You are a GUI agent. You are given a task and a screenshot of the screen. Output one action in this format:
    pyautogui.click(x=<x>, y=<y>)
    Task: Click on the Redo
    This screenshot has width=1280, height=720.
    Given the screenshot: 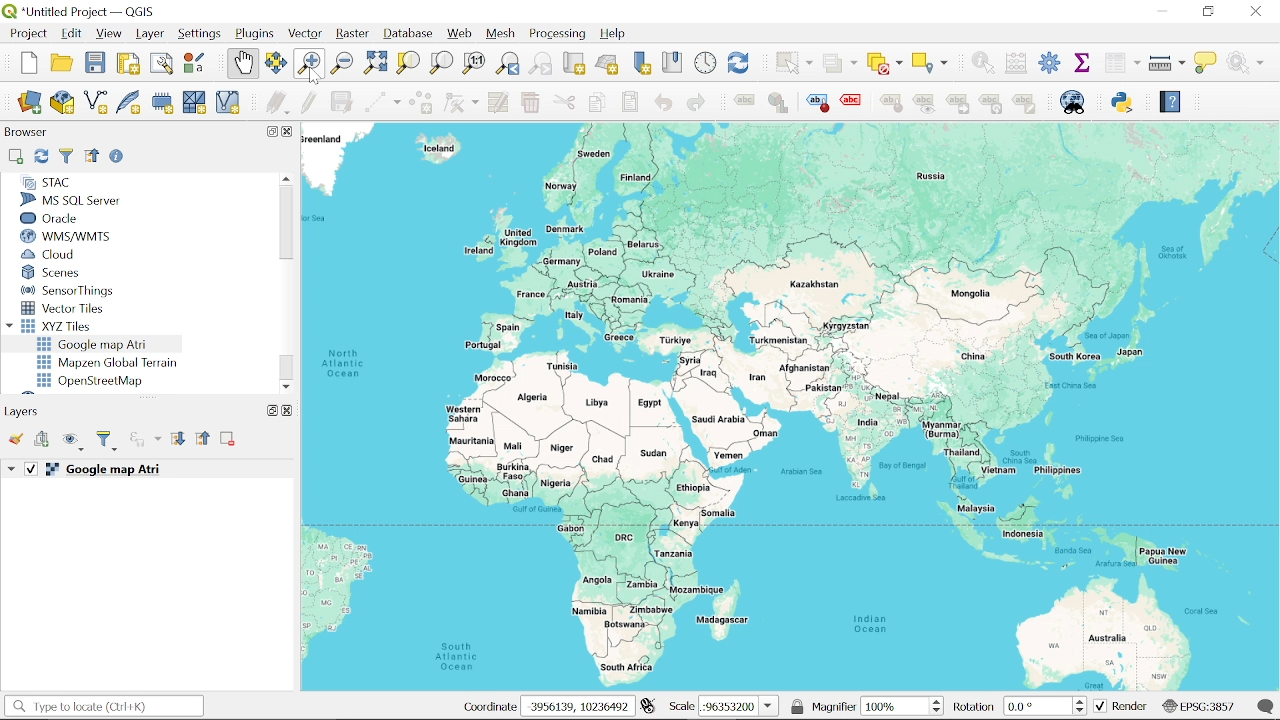 What is the action you would take?
    pyautogui.click(x=695, y=104)
    